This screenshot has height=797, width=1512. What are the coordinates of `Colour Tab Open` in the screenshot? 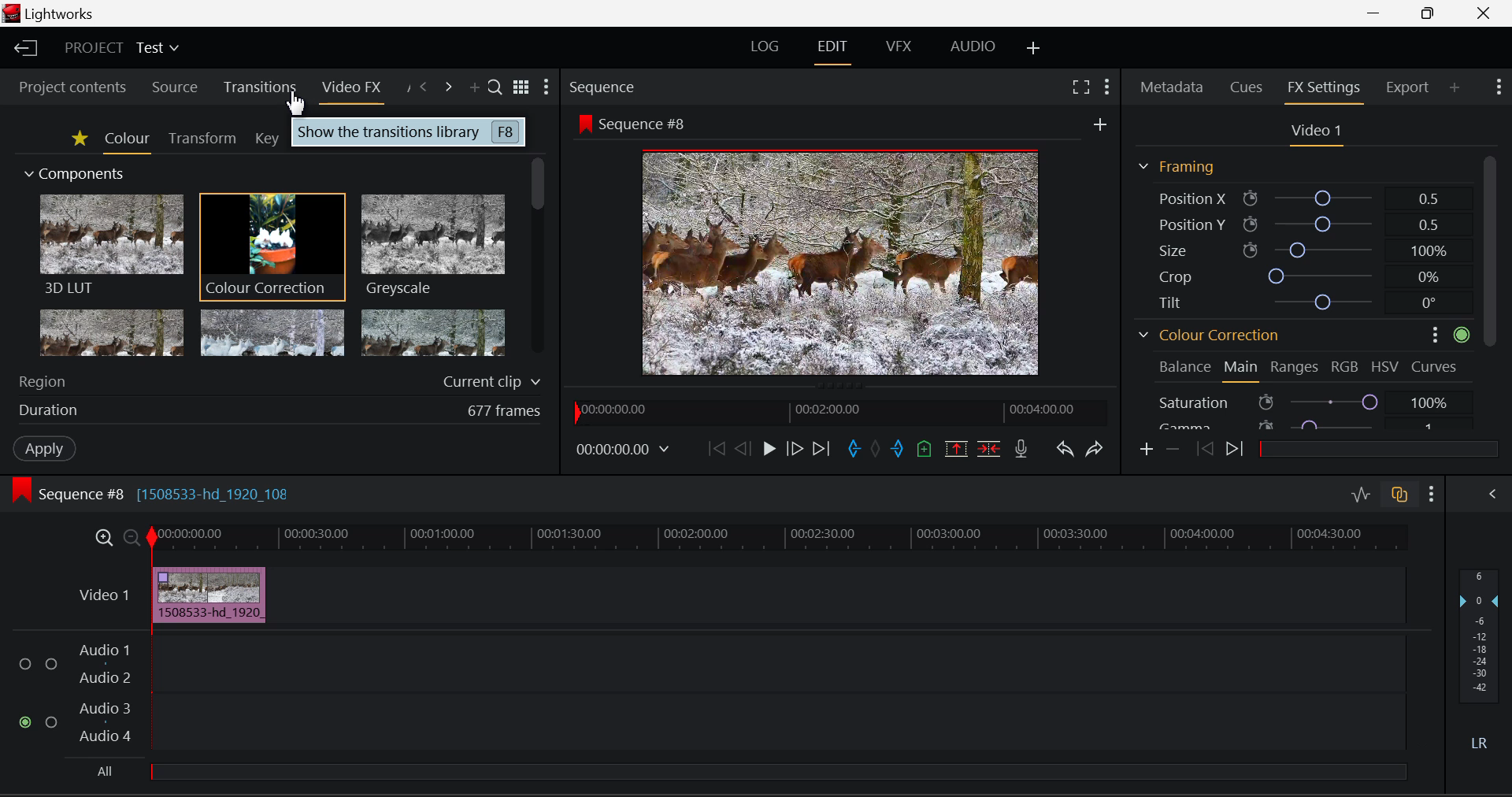 It's located at (127, 140).